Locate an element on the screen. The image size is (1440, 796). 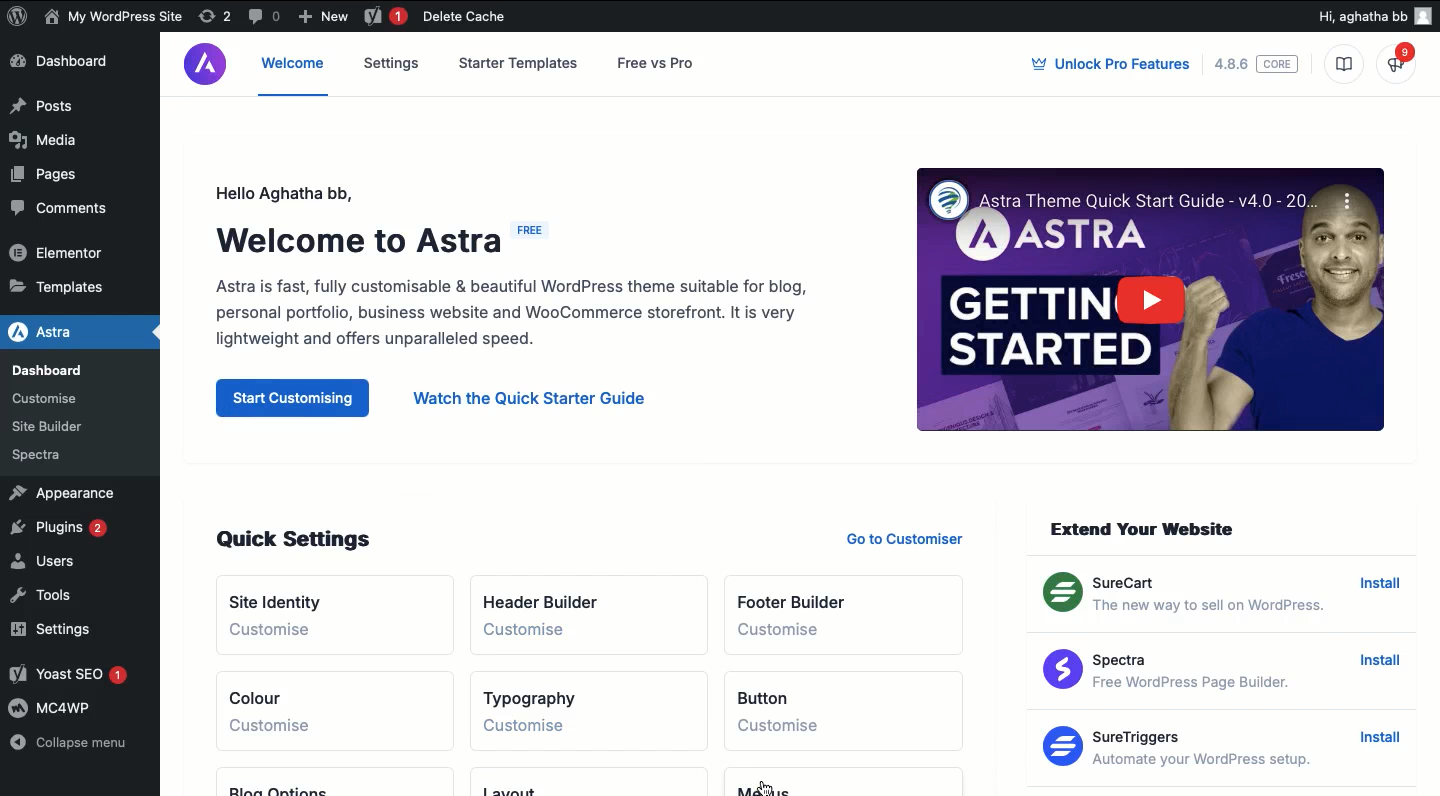
Elementor is located at coordinates (68, 254).